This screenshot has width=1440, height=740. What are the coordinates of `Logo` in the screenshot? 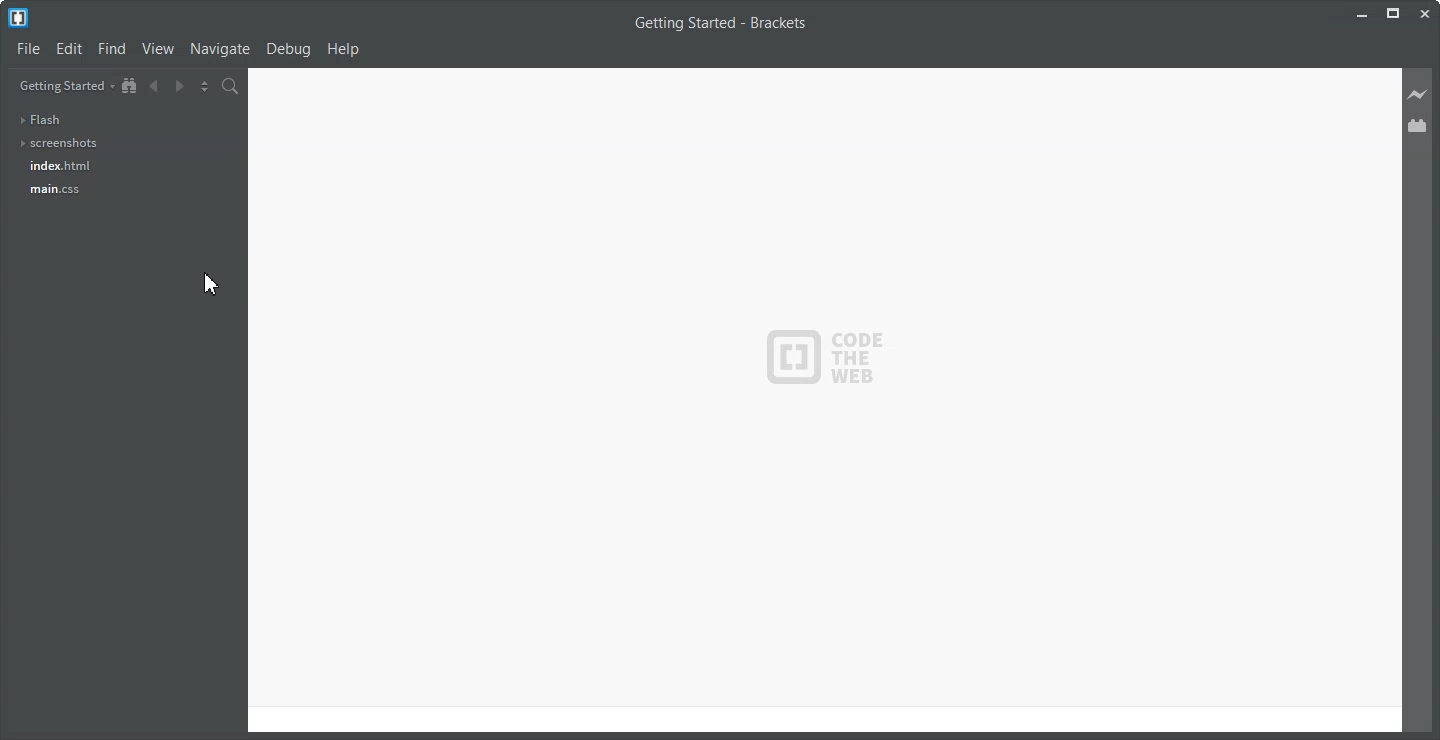 It's located at (18, 18).